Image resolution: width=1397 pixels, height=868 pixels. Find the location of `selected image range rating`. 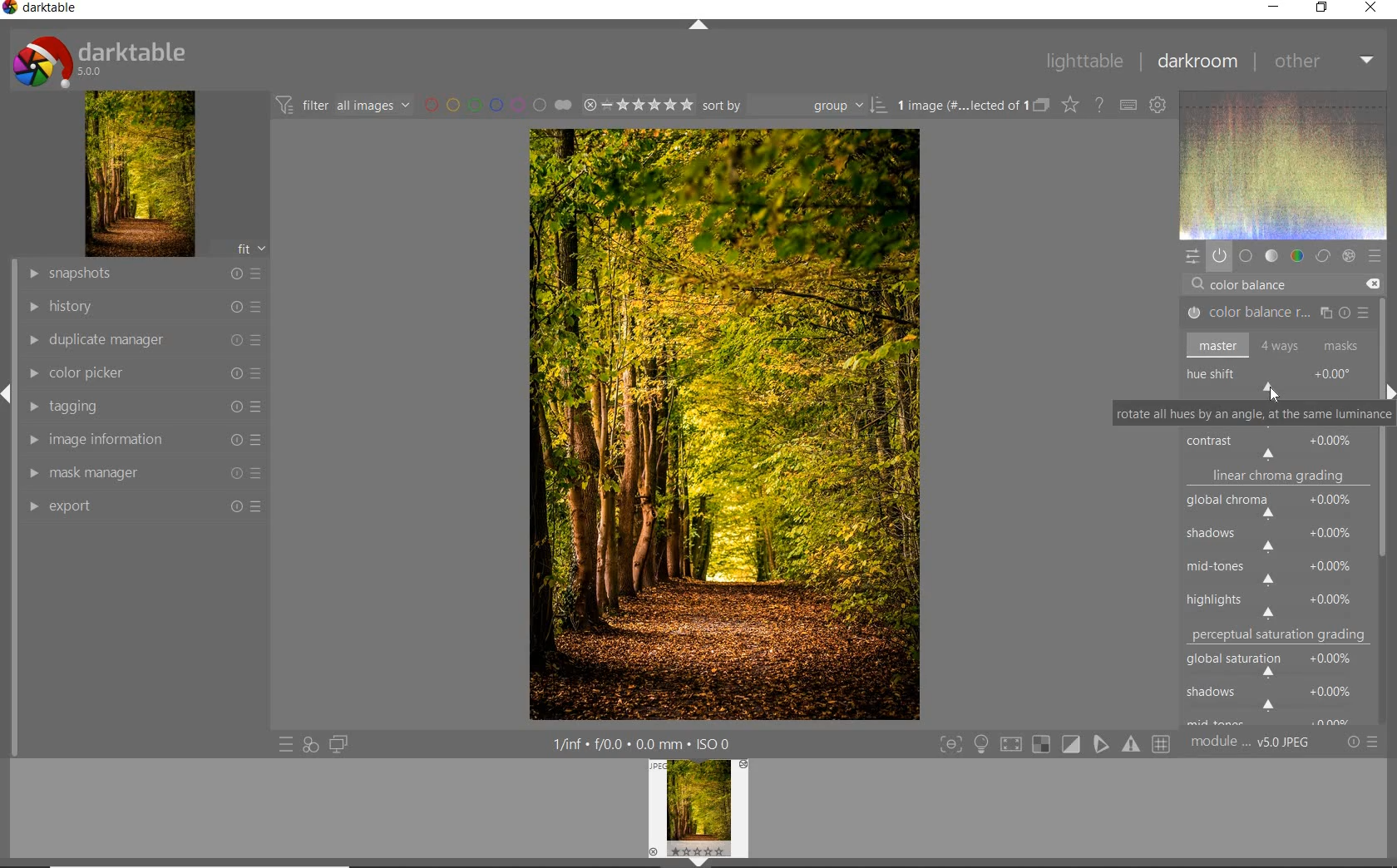

selected image range rating is located at coordinates (638, 106).